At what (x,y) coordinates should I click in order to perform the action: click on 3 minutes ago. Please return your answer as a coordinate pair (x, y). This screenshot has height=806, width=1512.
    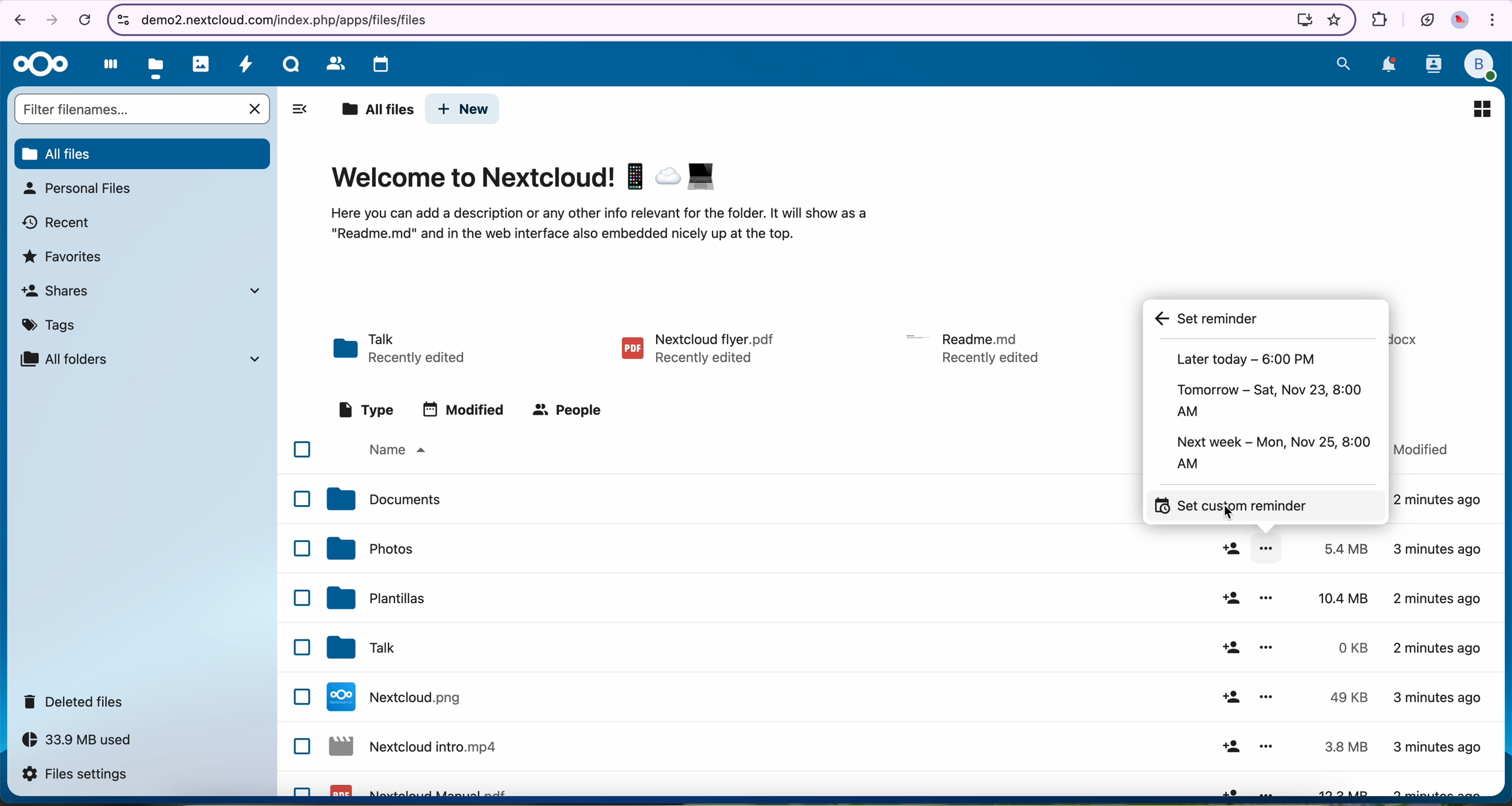
    Looking at the image, I should click on (1437, 548).